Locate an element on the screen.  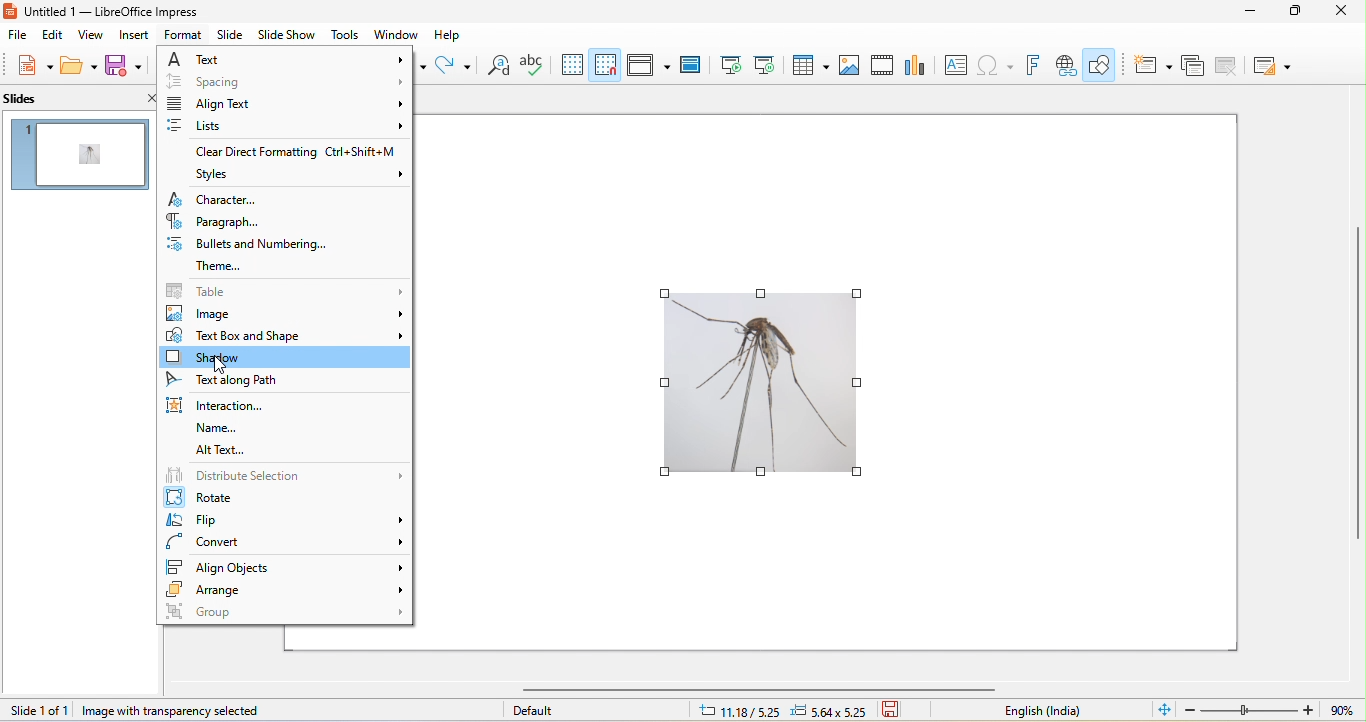
display views is located at coordinates (649, 64).